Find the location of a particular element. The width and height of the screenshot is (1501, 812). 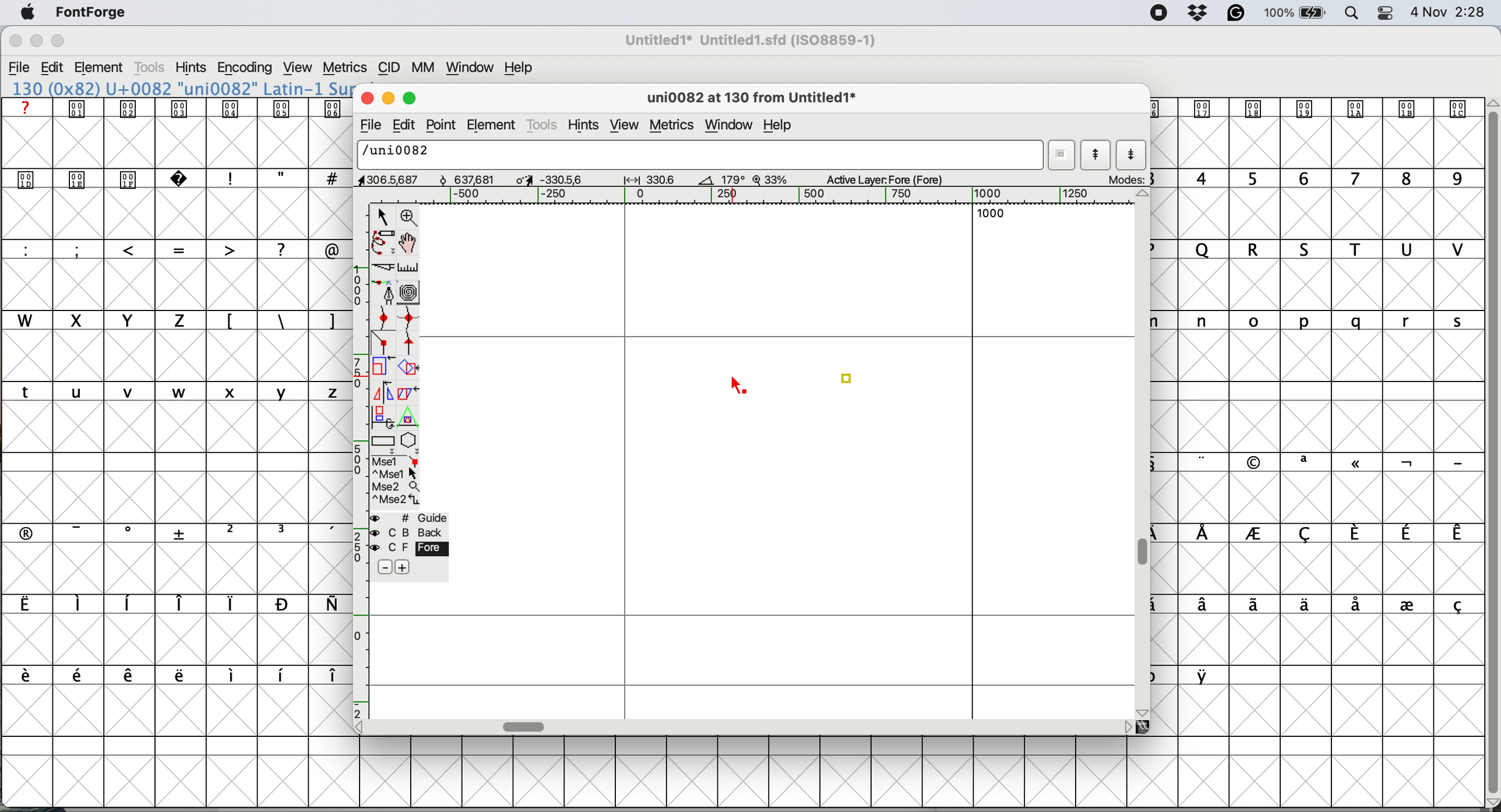

numbers is located at coordinates (1320, 178).